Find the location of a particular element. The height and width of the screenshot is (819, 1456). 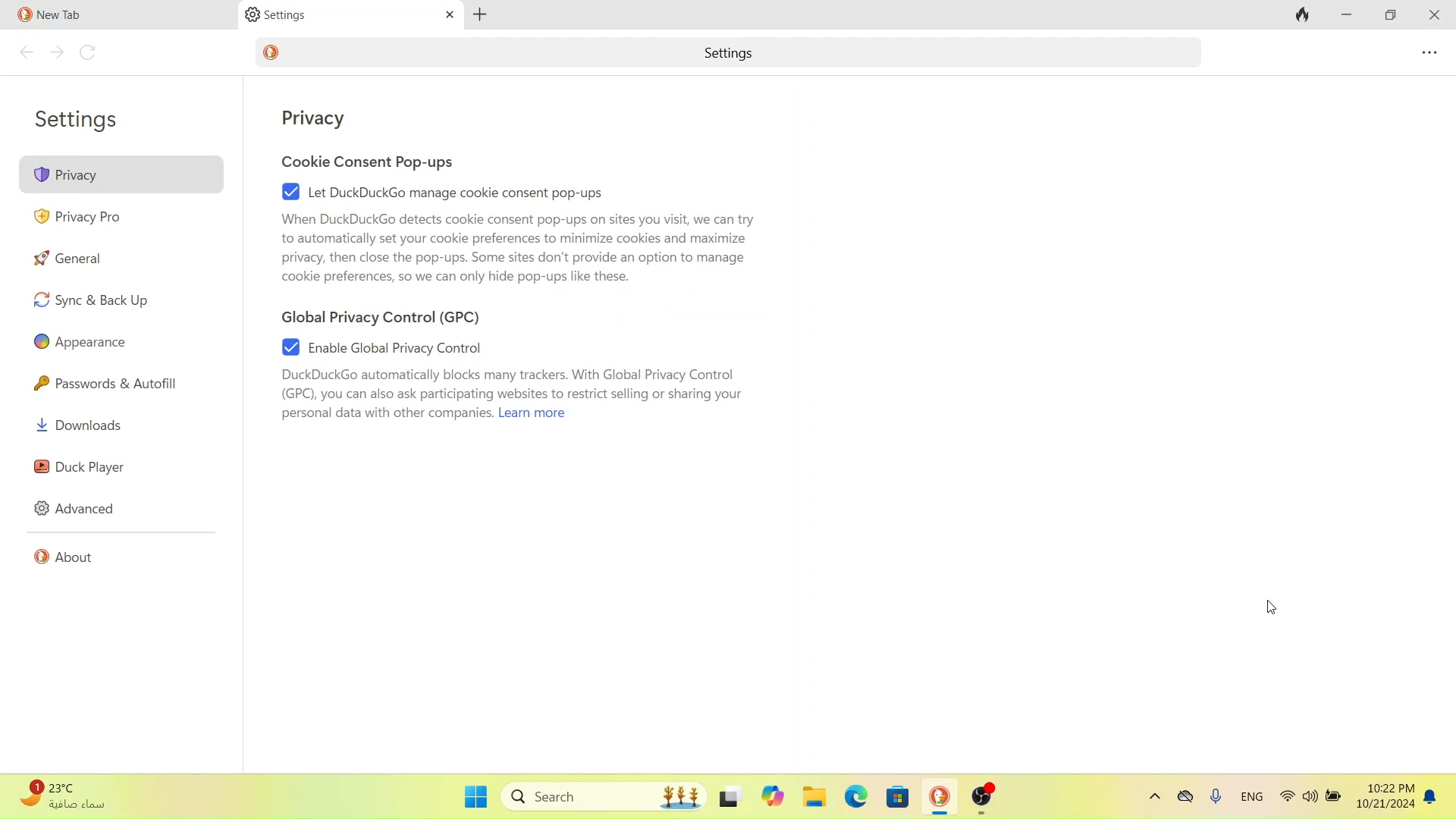

passwords & autofill is located at coordinates (107, 384).